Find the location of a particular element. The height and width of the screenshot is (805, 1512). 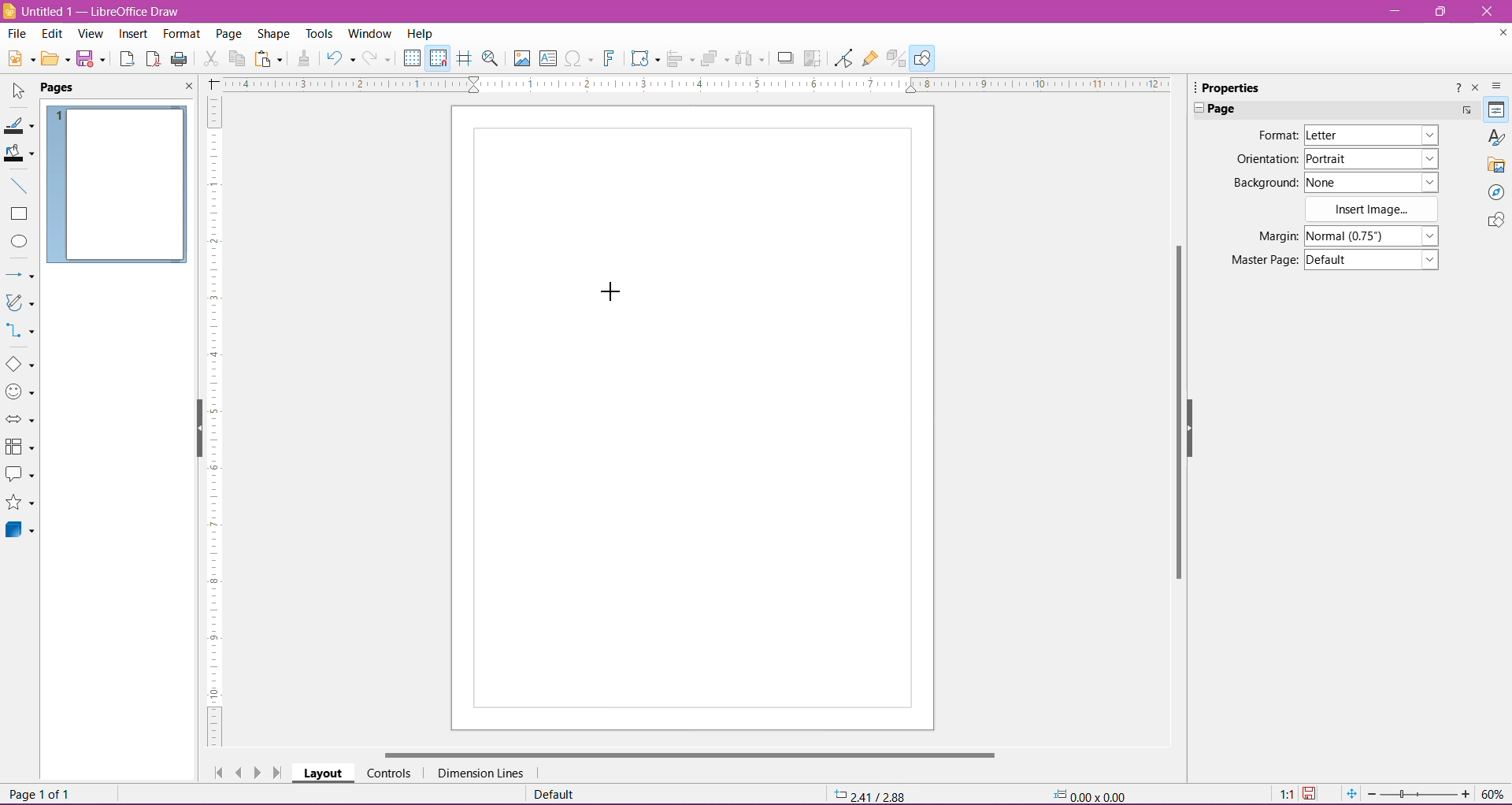

Connectors is located at coordinates (21, 332).